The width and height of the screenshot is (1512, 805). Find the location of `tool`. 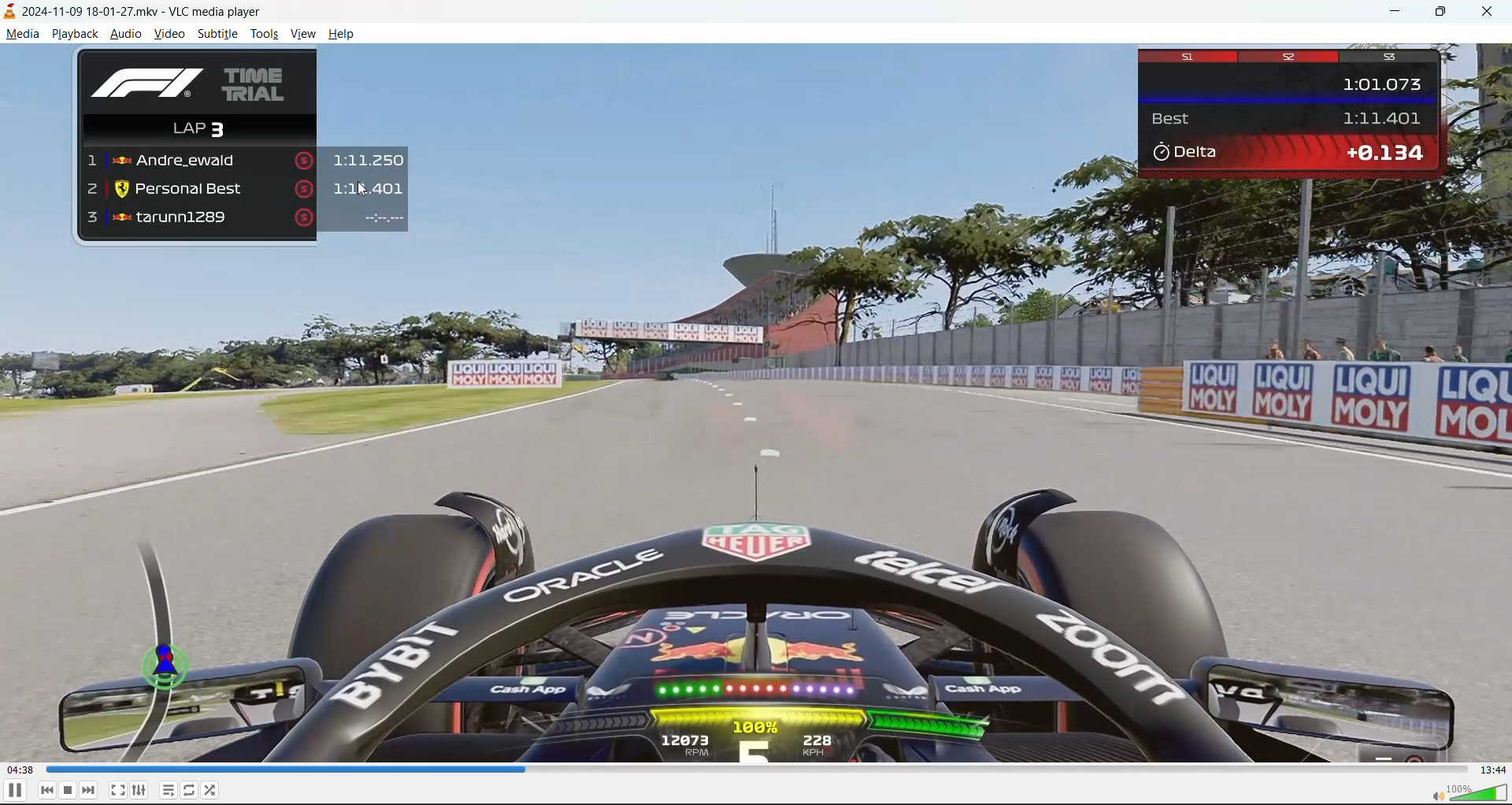

tool is located at coordinates (264, 36).